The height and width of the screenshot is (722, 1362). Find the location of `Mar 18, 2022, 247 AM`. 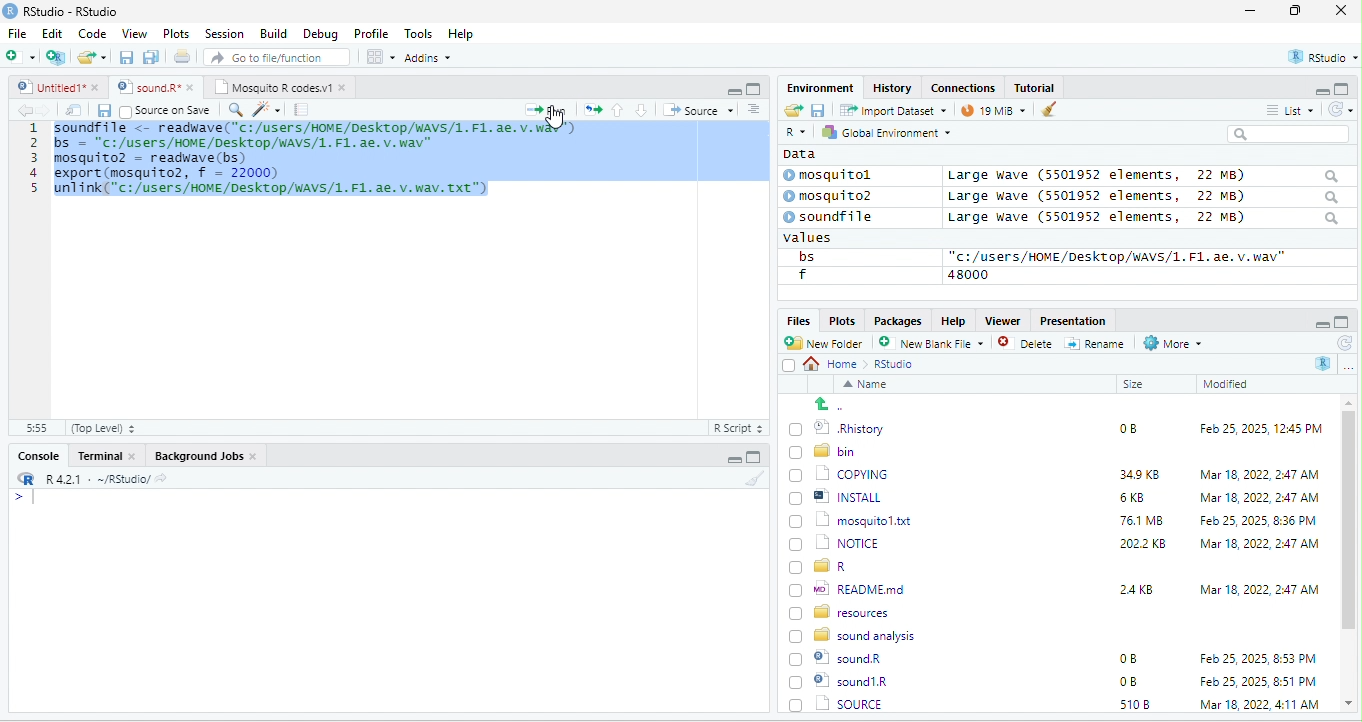

Mar 18, 2022, 247 AM is located at coordinates (1260, 474).